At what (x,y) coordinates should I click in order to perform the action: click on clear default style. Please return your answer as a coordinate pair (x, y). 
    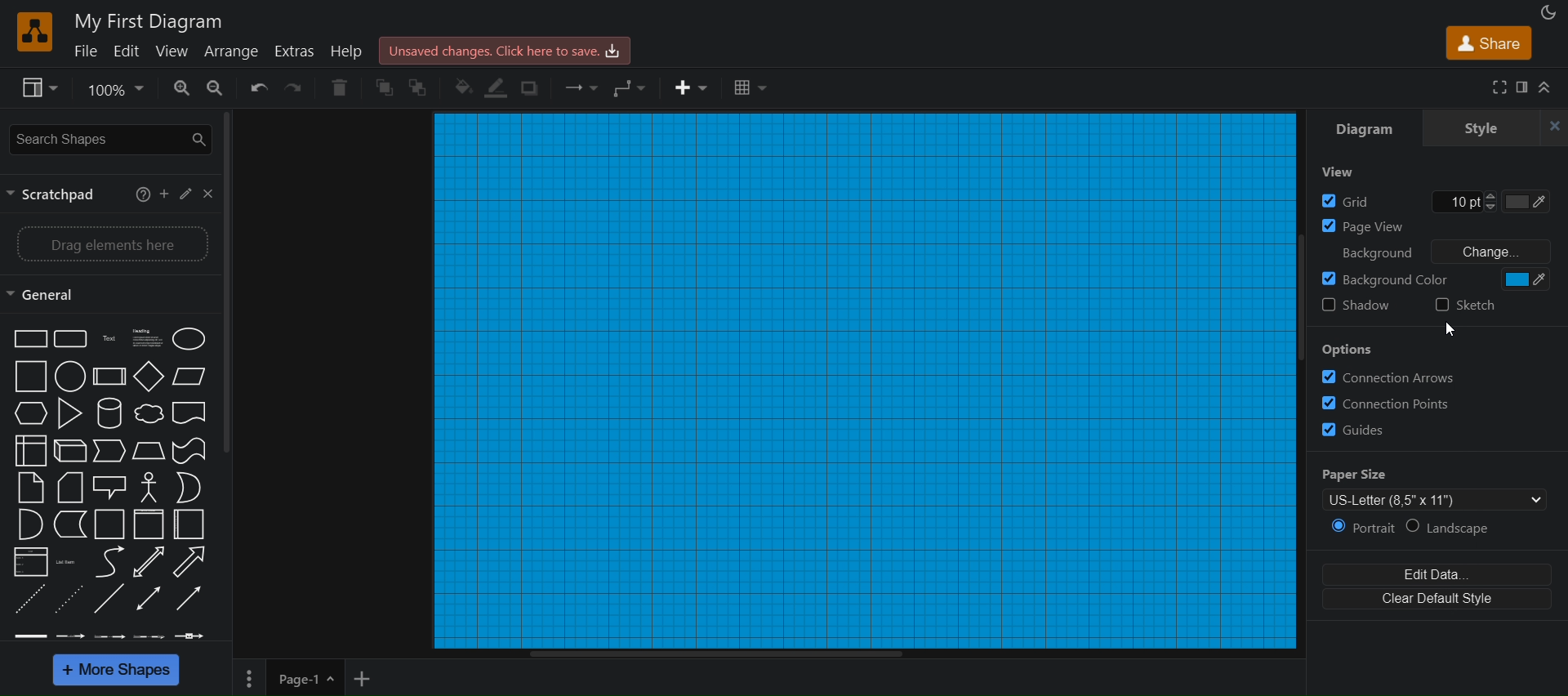
    Looking at the image, I should click on (1441, 601).